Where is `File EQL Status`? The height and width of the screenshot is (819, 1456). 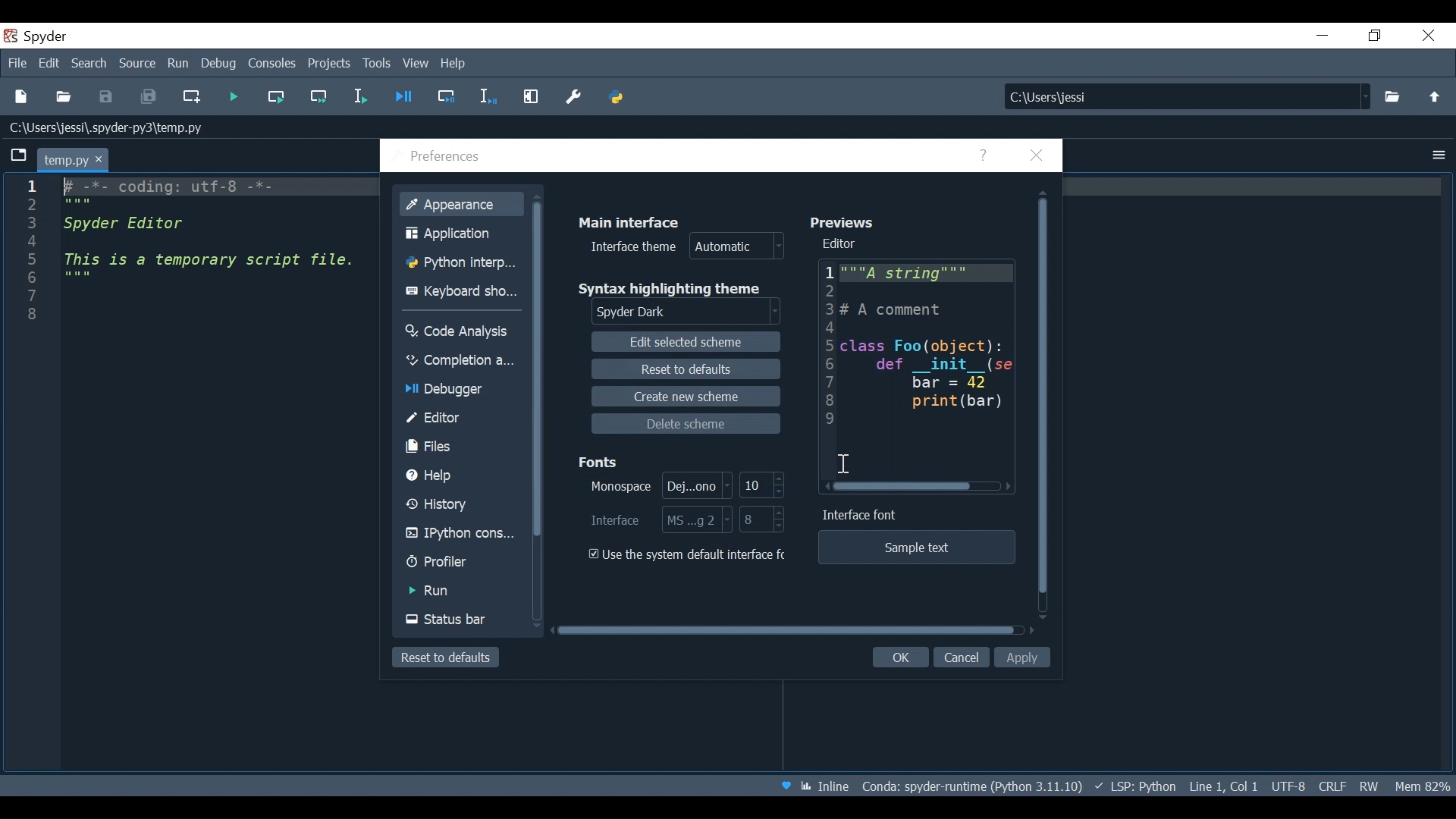
File EQL Status is located at coordinates (1330, 786).